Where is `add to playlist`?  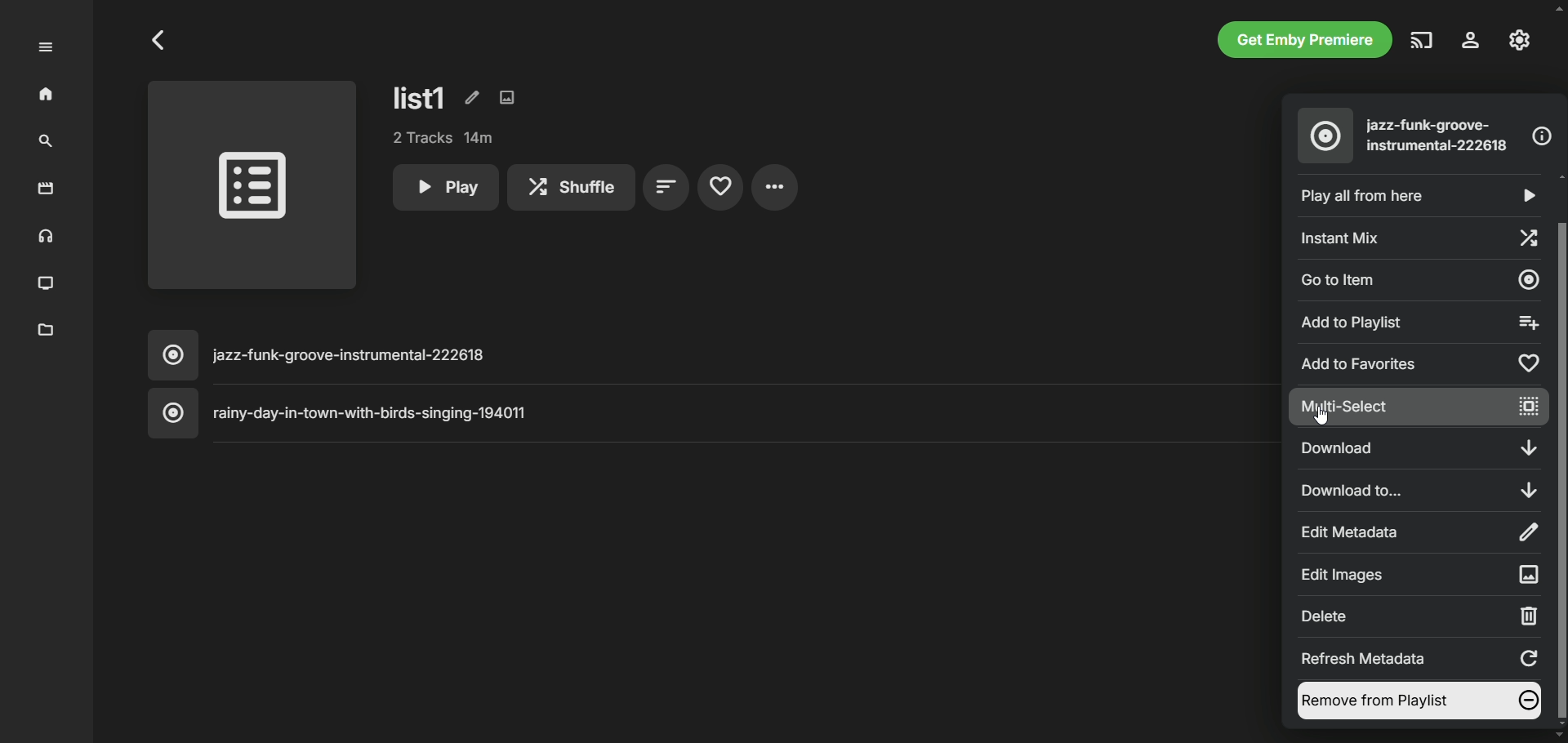
add to playlist is located at coordinates (1415, 322).